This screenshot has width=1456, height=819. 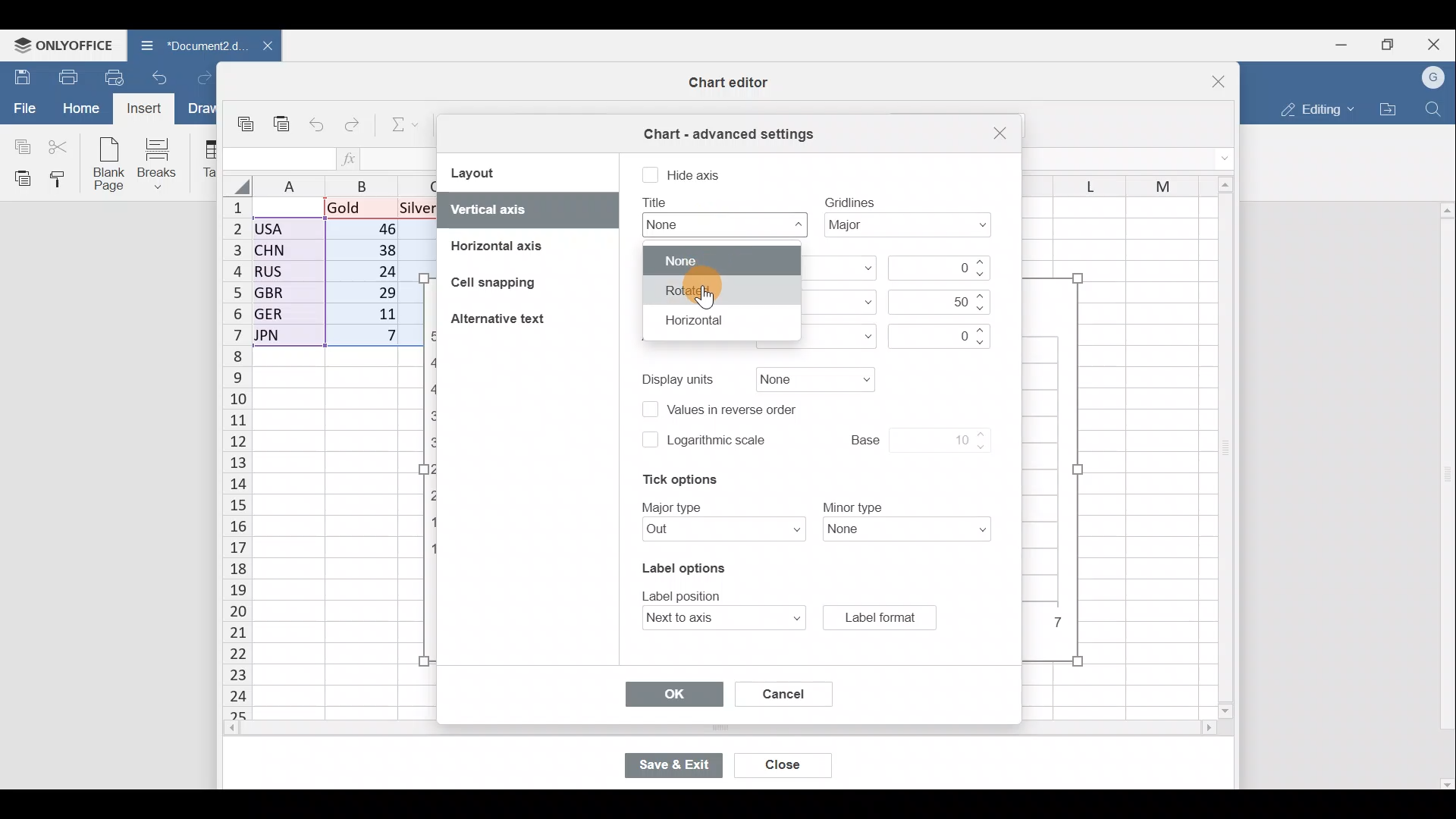 What do you see at coordinates (492, 173) in the screenshot?
I see `Layout` at bounding box center [492, 173].